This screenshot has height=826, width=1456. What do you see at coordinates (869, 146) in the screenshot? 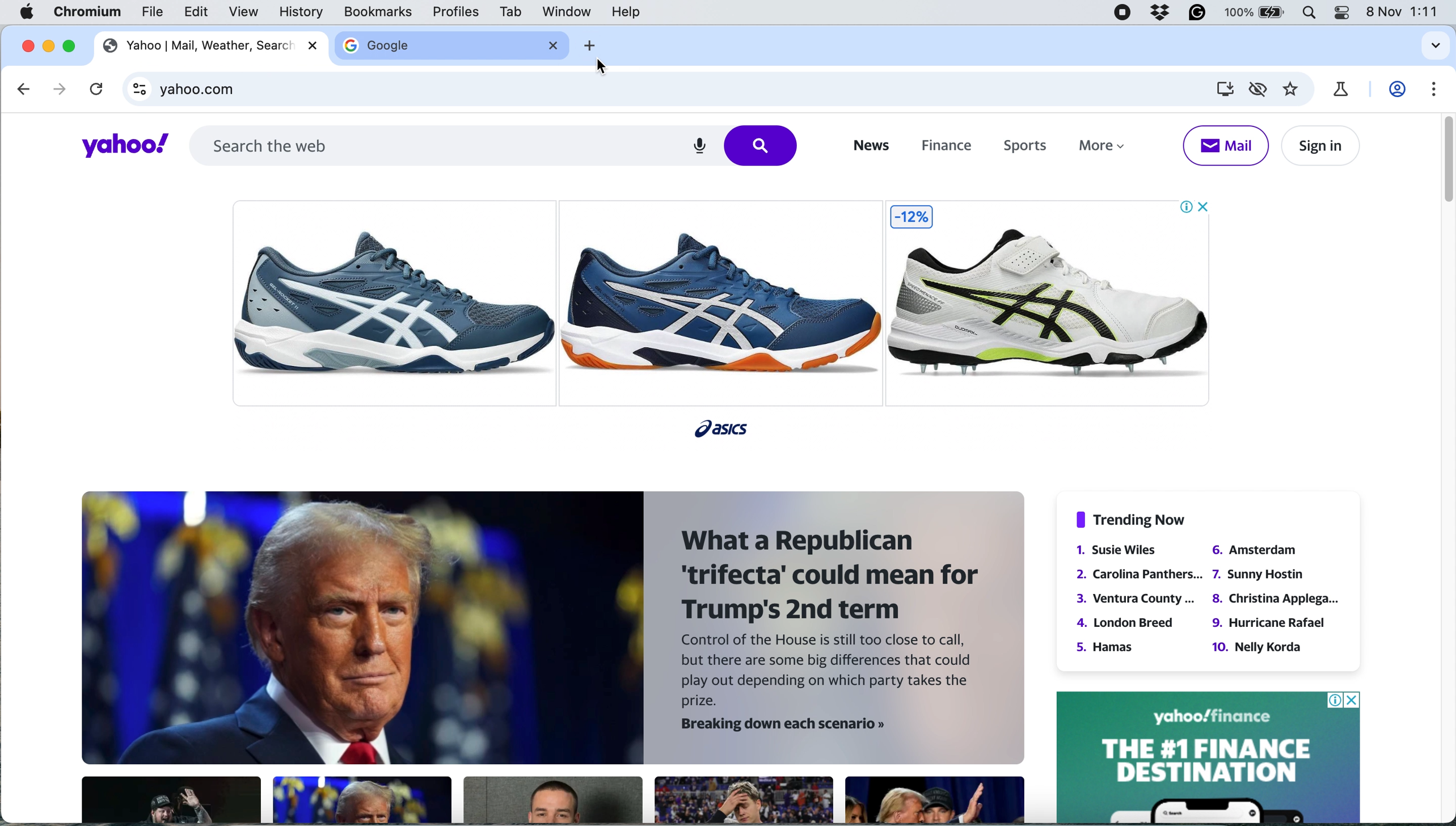
I see `news` at bounding box center [869, 146].